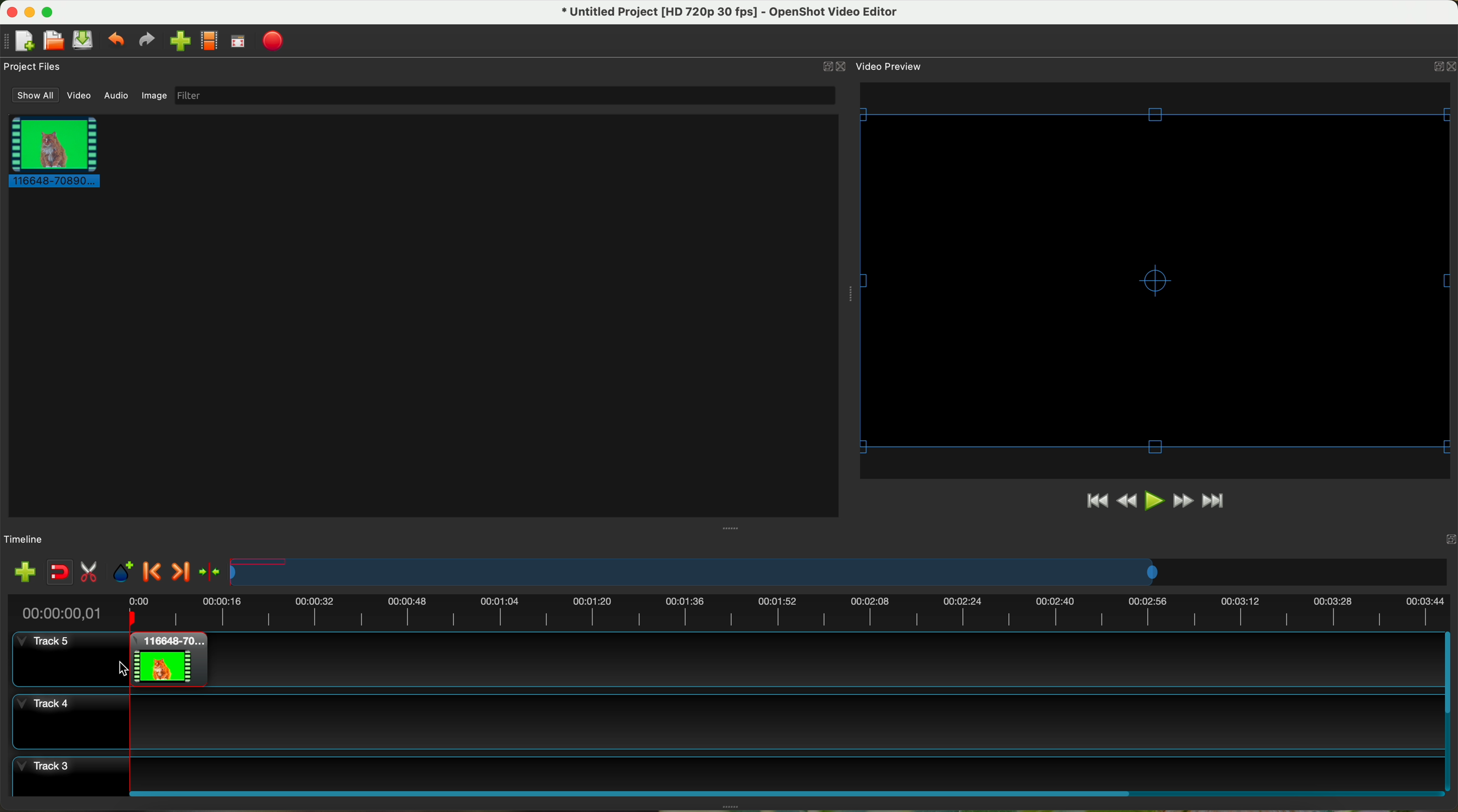 This screenshot has height=812, width=1458. Describe the element at coordinates (1096, 500) in the screenshot. I see `jump to start` at that location.